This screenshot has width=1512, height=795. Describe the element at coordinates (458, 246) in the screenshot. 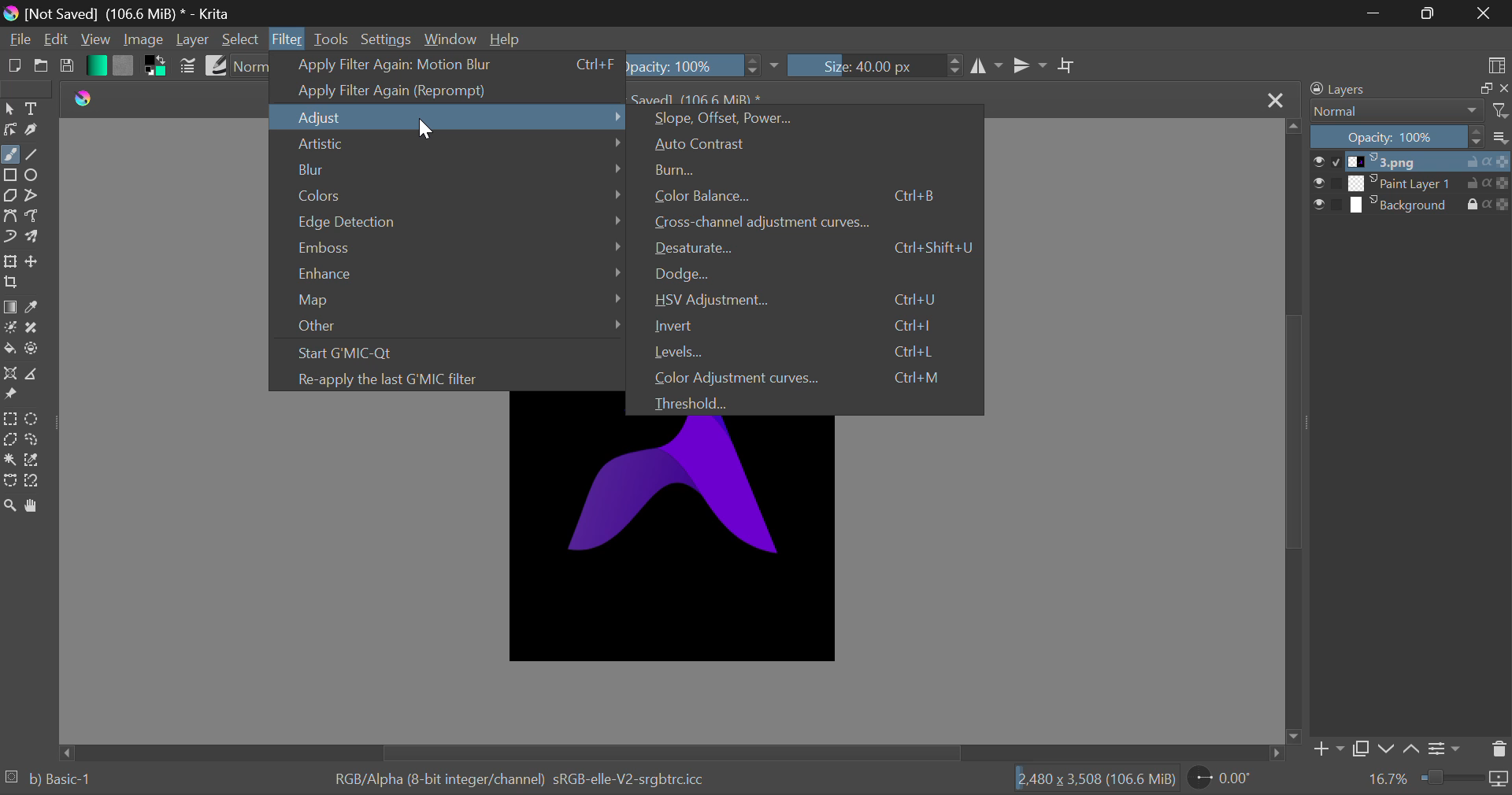

I see `Emboss` at that location.